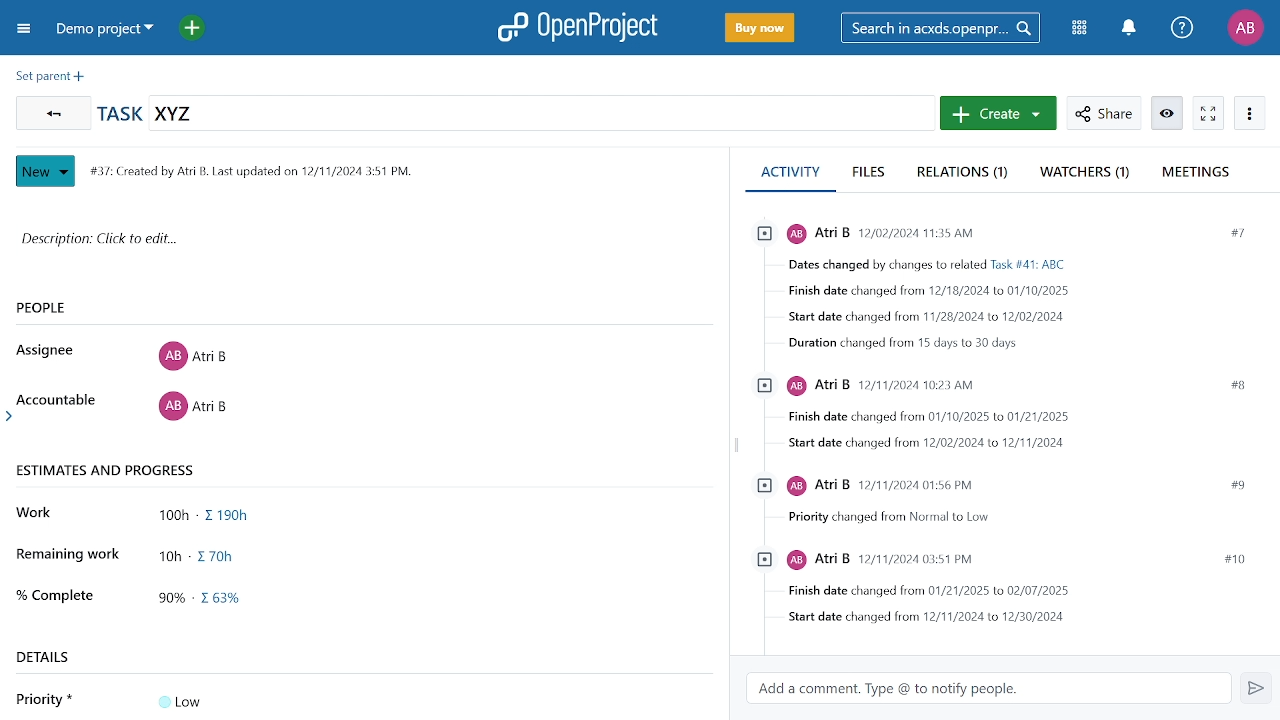 This screenshot has height=720, width=1280. Describe the element at coordinates (940, 27) in the screenshot. I see `Search` at that location.